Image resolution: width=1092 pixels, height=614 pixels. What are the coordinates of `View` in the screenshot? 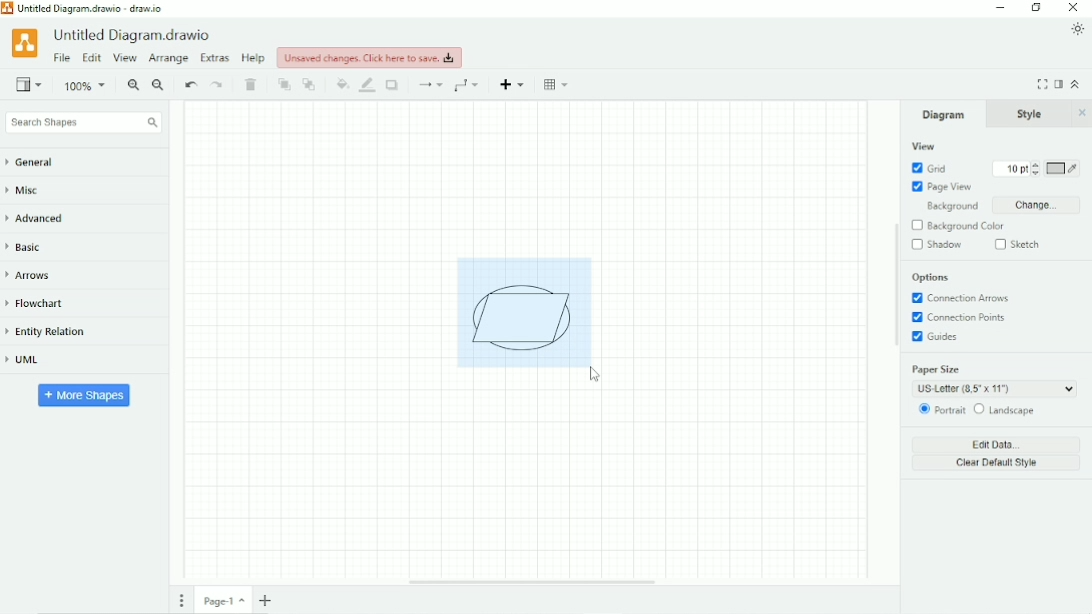 It's located at (125, 59).